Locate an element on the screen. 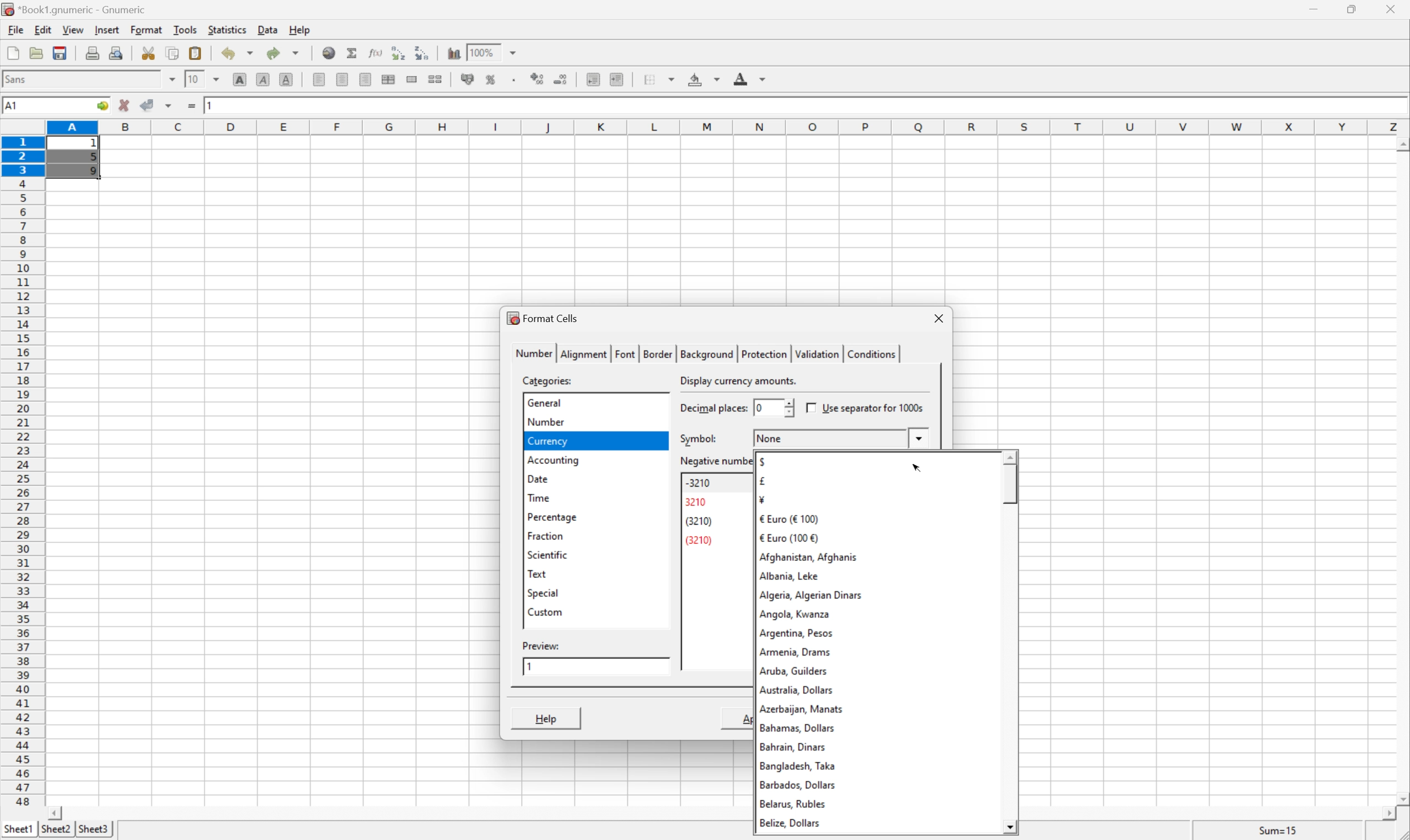  Sort the selected region in ascending order based on the first column selected is located at coordinates (399, 52).